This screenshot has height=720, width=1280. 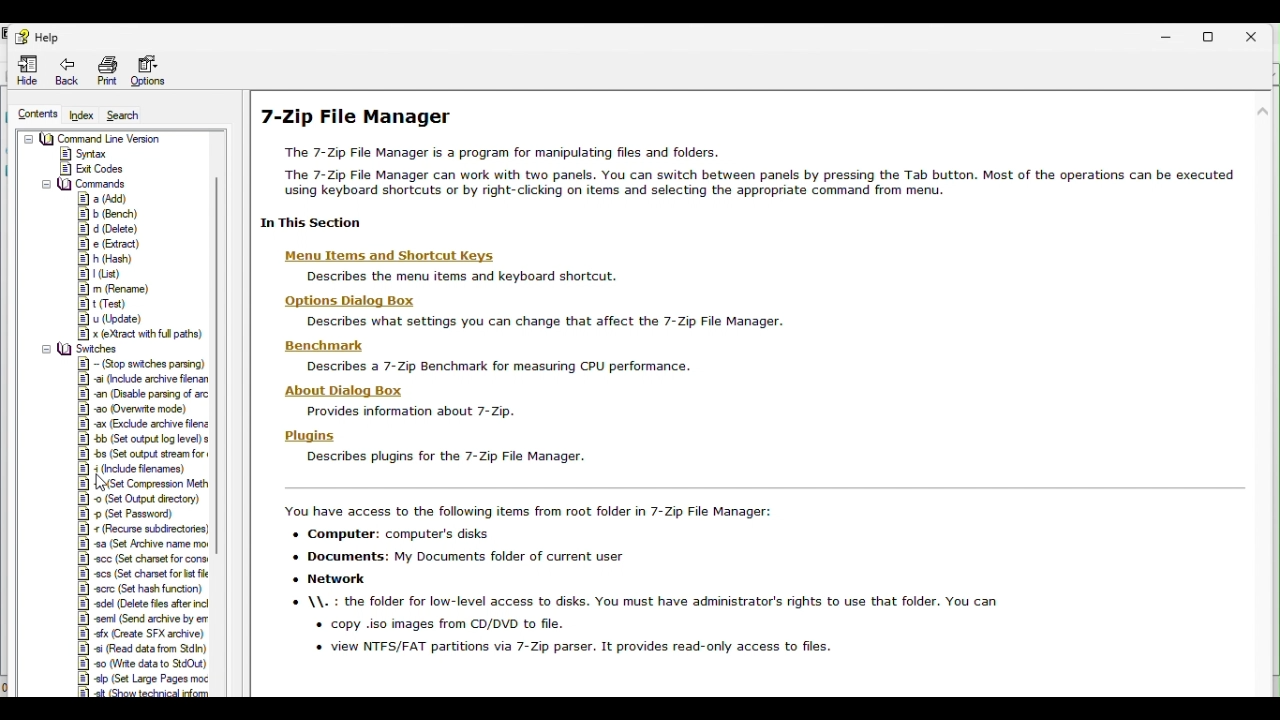 What do you see at coordinates (106, 245) in the screenshot?
I see `Extract` at bounding box center [106, 245].